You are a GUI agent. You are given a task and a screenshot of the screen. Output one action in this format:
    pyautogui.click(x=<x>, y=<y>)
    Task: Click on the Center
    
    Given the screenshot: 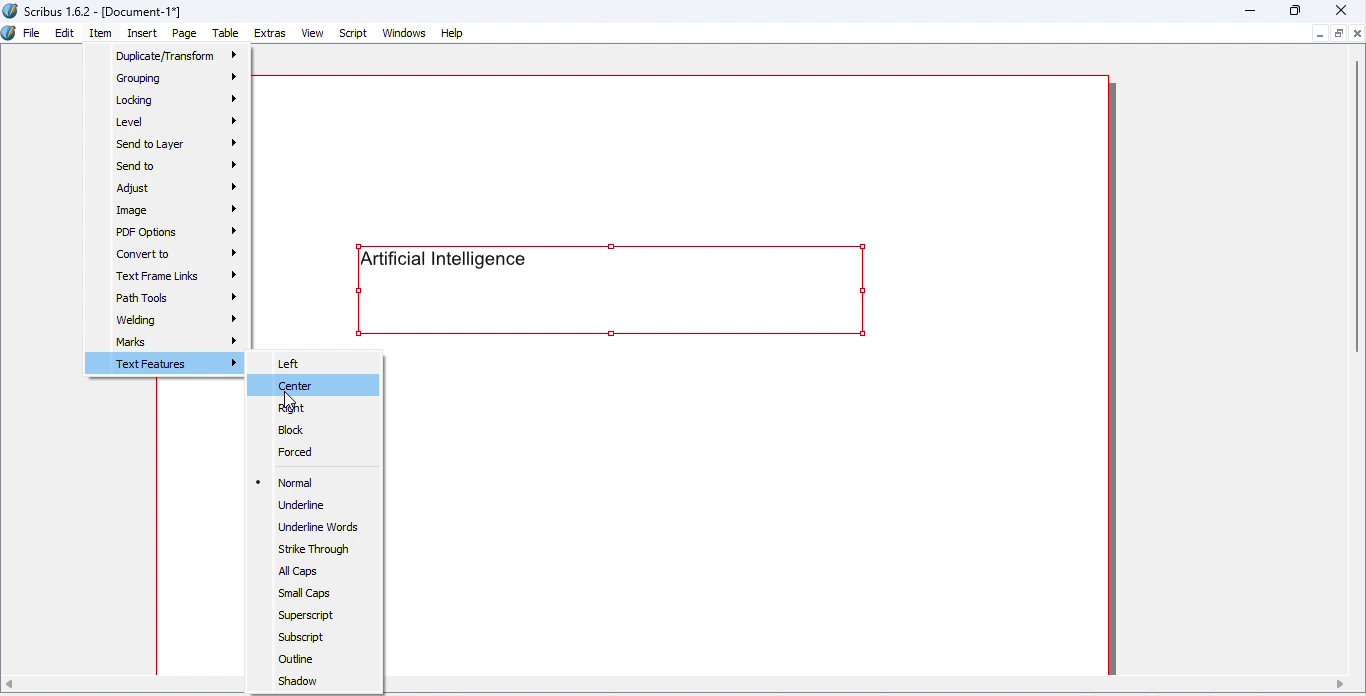 What is the action you would take?
    pyautogui.click(x=301, y=387)
    